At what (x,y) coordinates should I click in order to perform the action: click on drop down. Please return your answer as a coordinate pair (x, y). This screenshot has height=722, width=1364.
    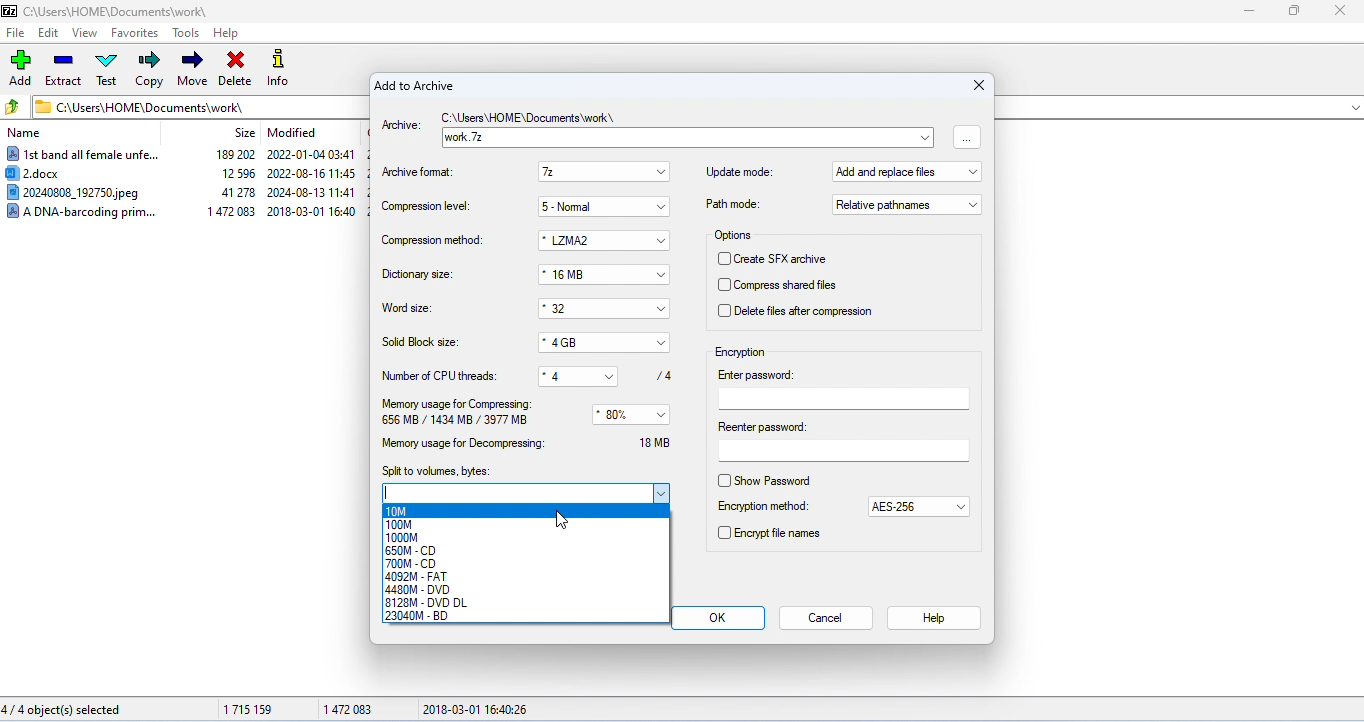
    Looking at the image, I should click on (962, 507).